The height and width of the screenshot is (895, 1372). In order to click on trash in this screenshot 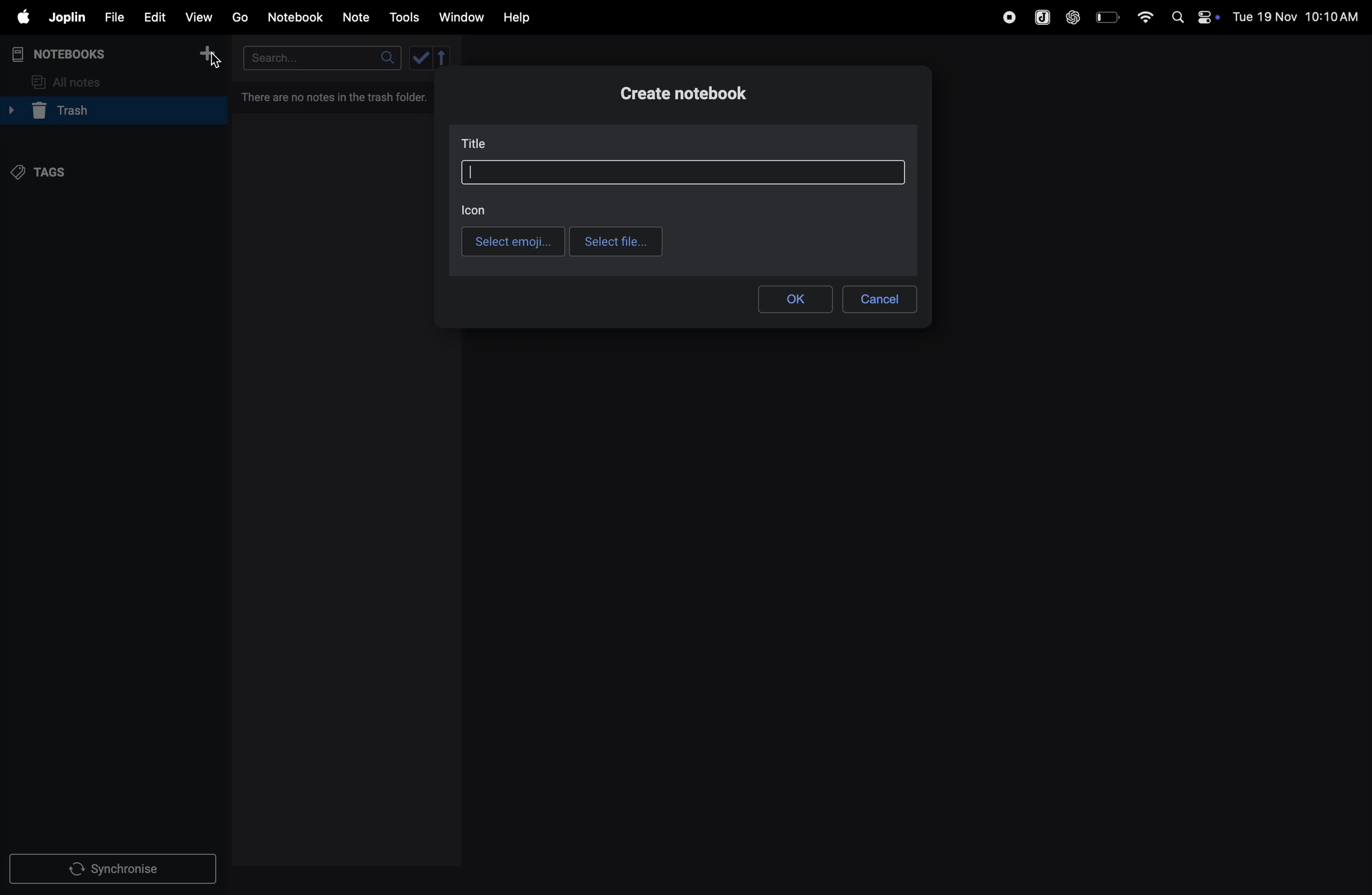, I will do `click(109, 112)`.